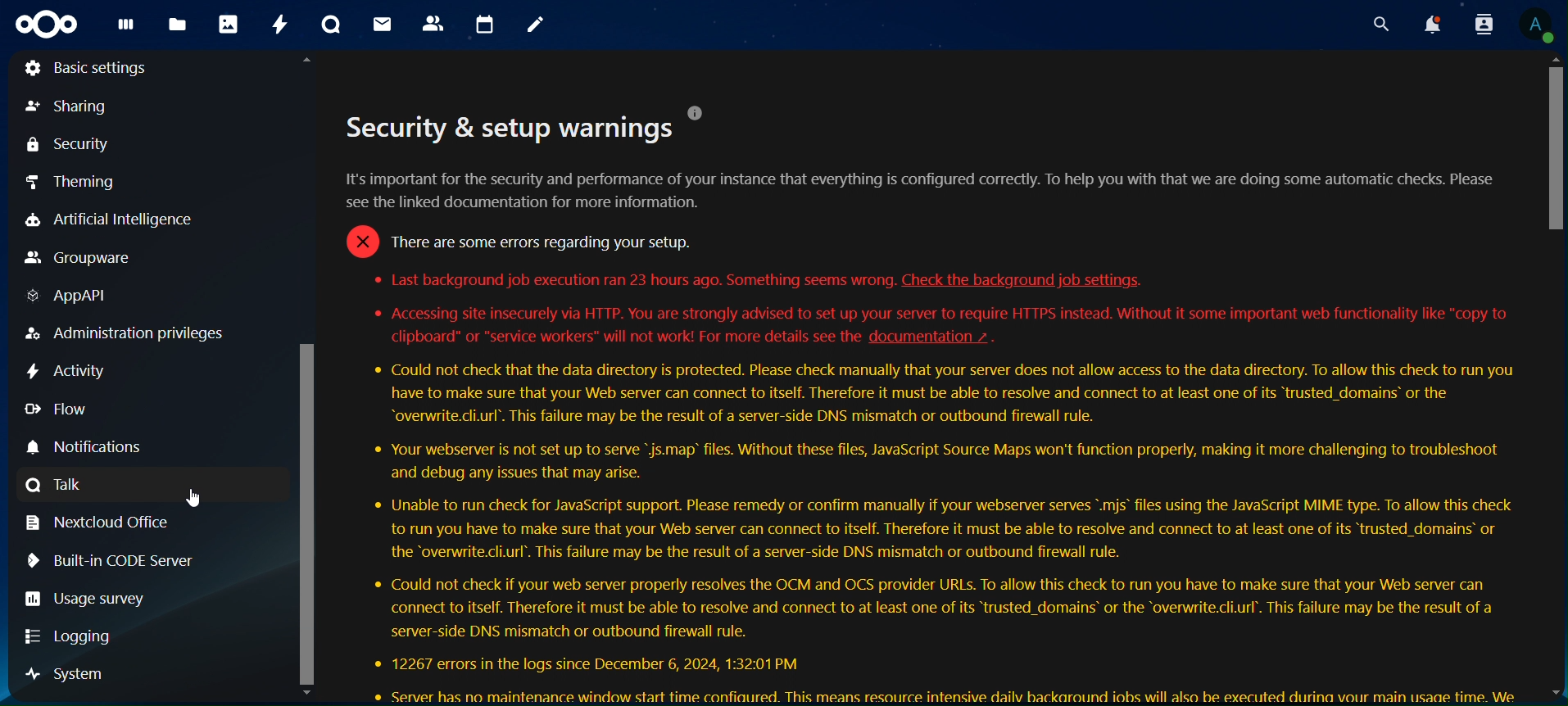  What do you see at coordinates (127, 332) in the screenshot?
I see `Administration privileges` at bounding box center [127, 332].